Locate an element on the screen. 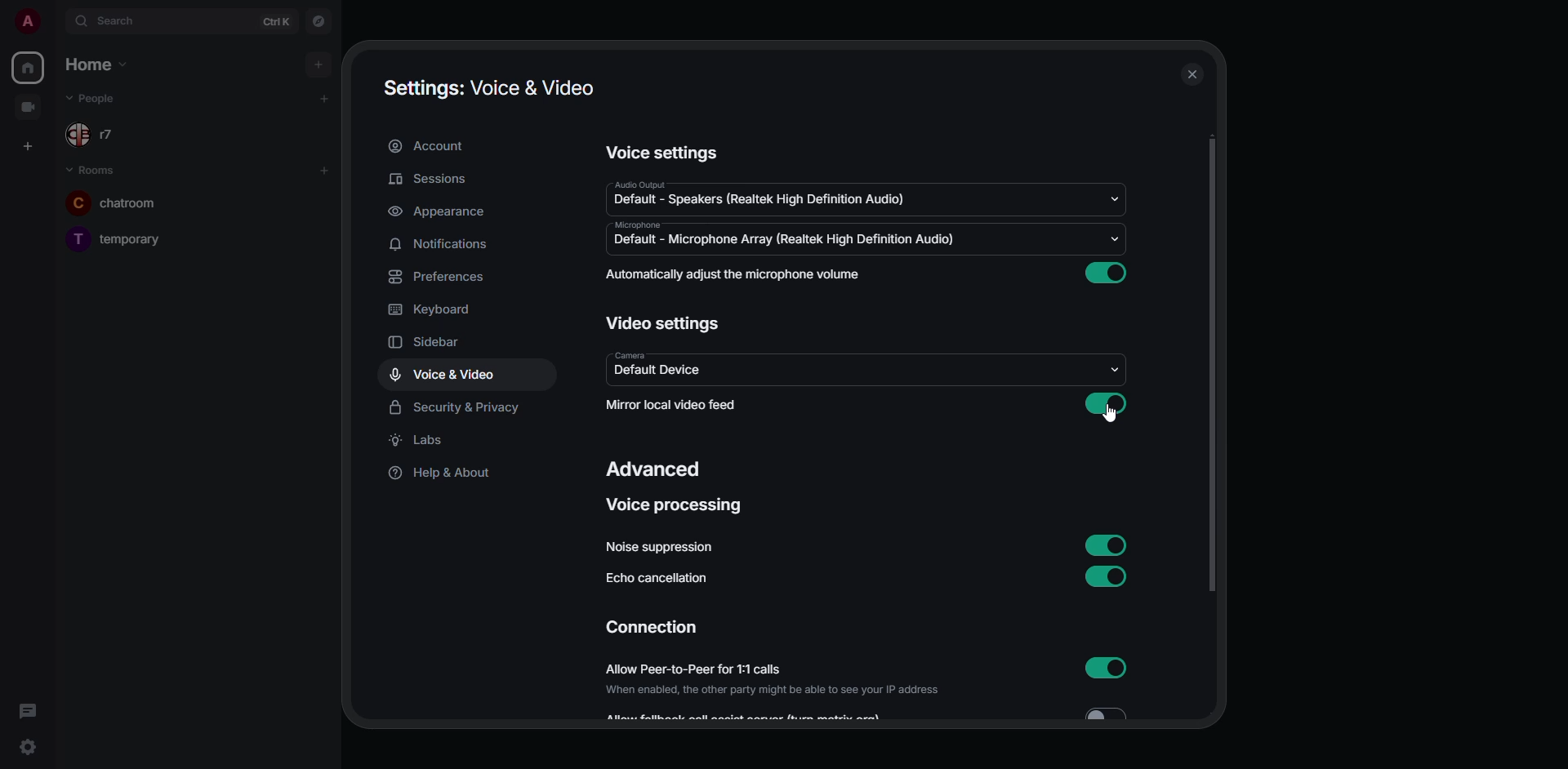 The height and width of the screenshot is (769, 1568). add is located at coordinates (326, 98).